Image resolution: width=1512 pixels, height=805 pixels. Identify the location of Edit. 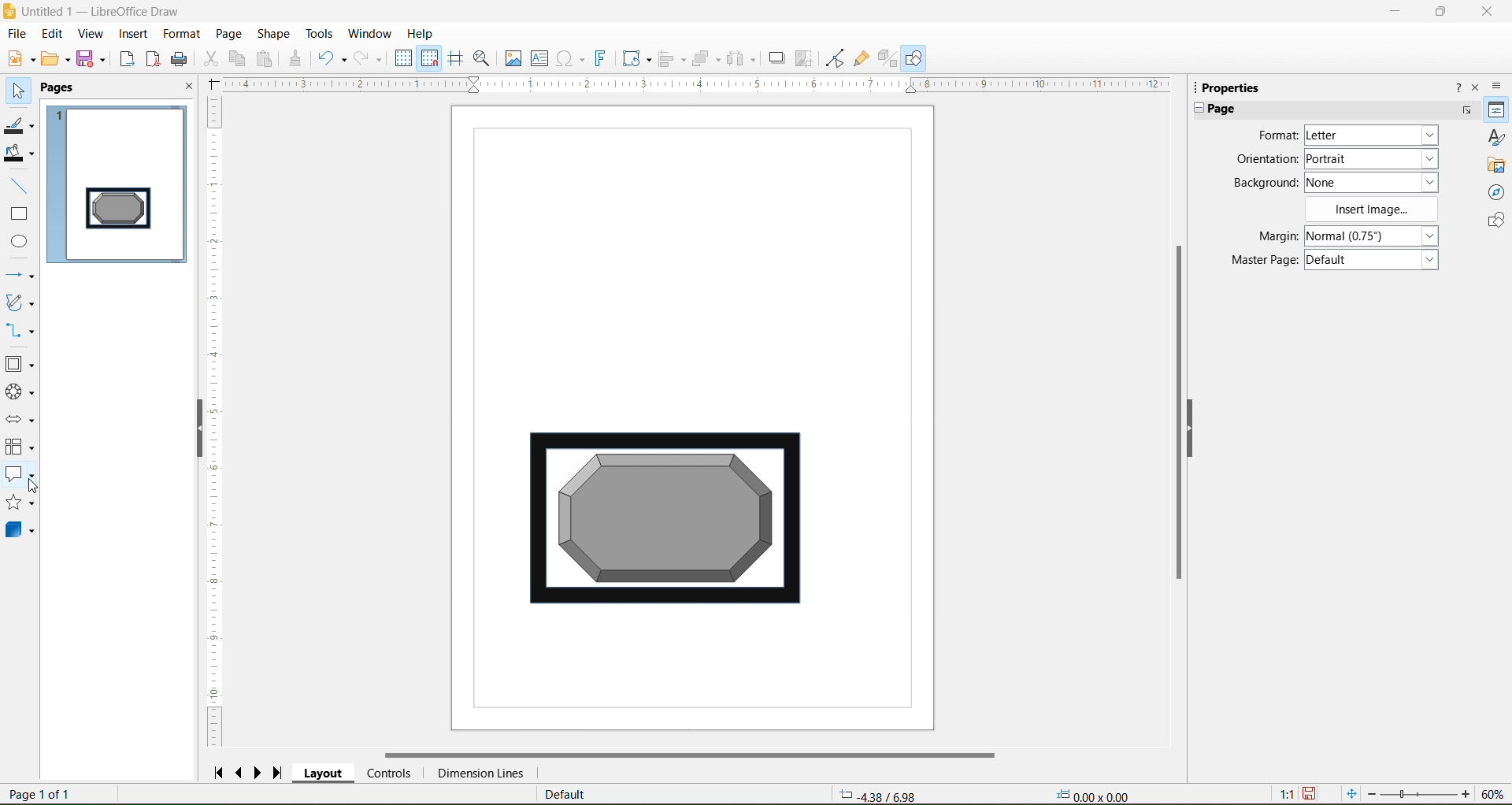
(52, 34).